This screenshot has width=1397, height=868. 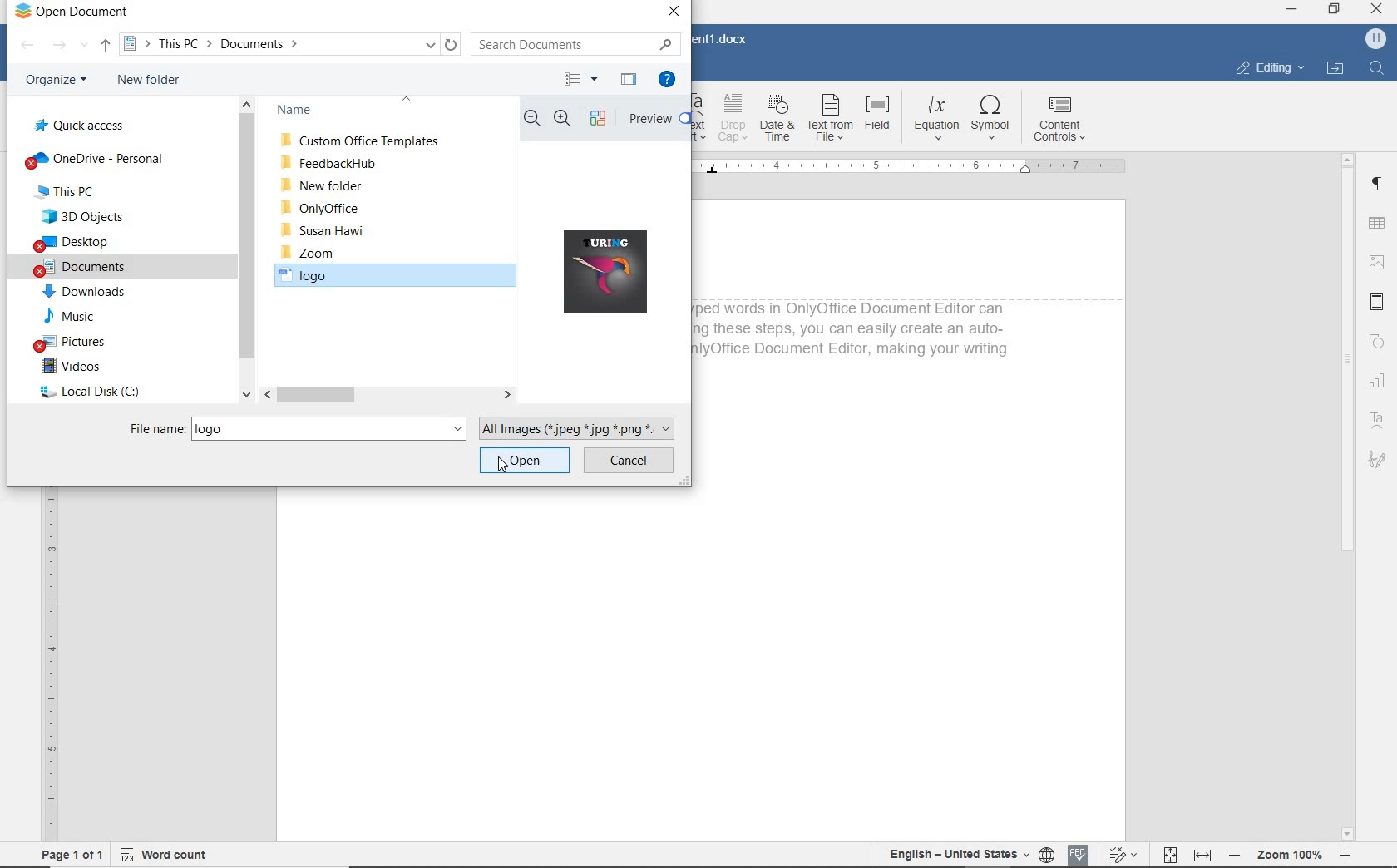 I want to click on SPELL CHECKING, so click(x=1079, y=853).